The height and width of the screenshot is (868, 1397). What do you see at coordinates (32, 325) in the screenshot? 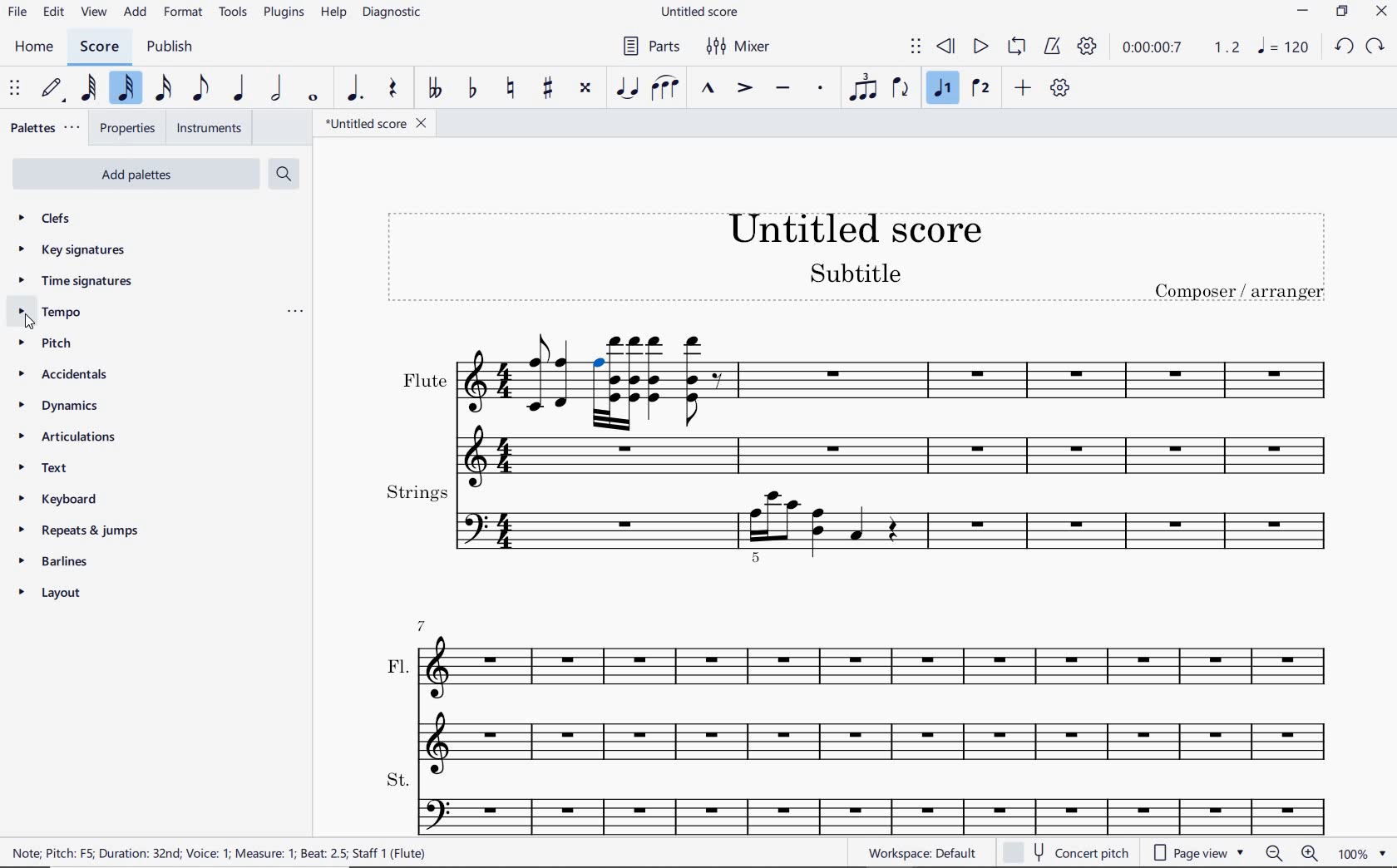
I see `cursor` at bounding box center [32, 325].